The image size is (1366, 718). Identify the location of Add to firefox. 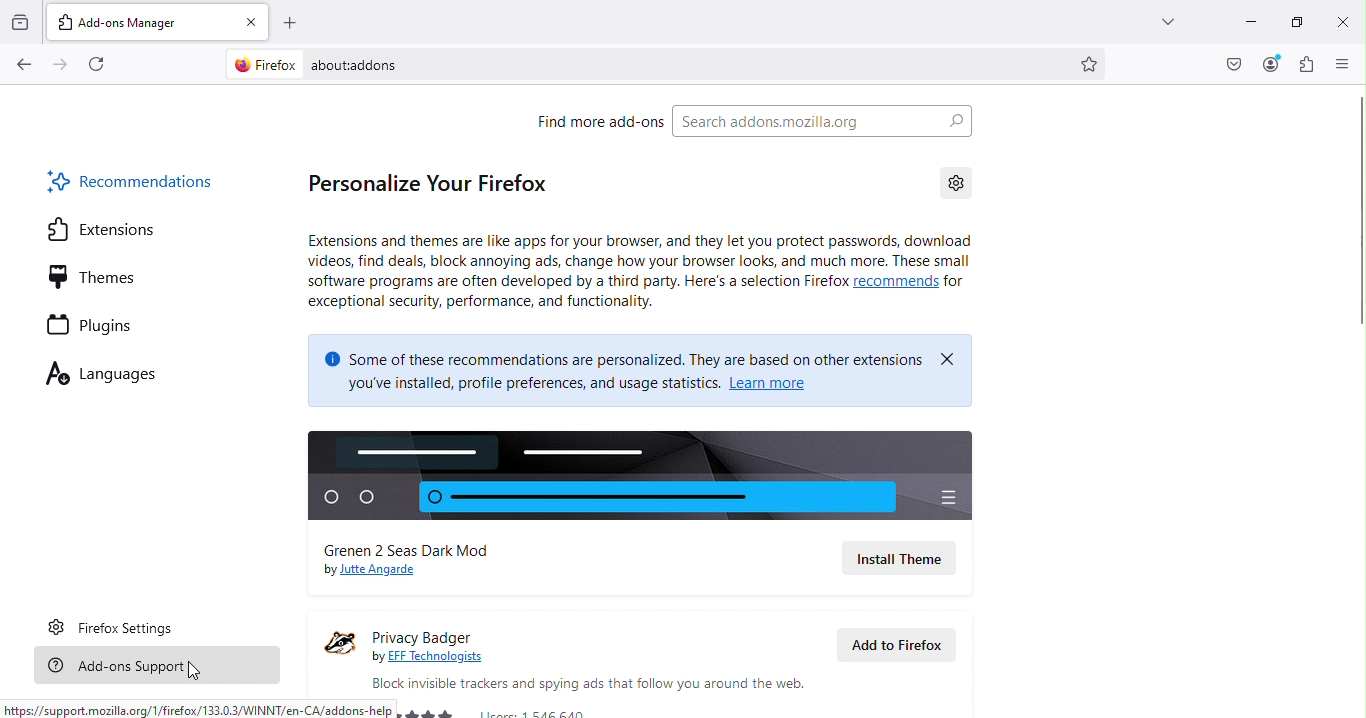
(903, 648).